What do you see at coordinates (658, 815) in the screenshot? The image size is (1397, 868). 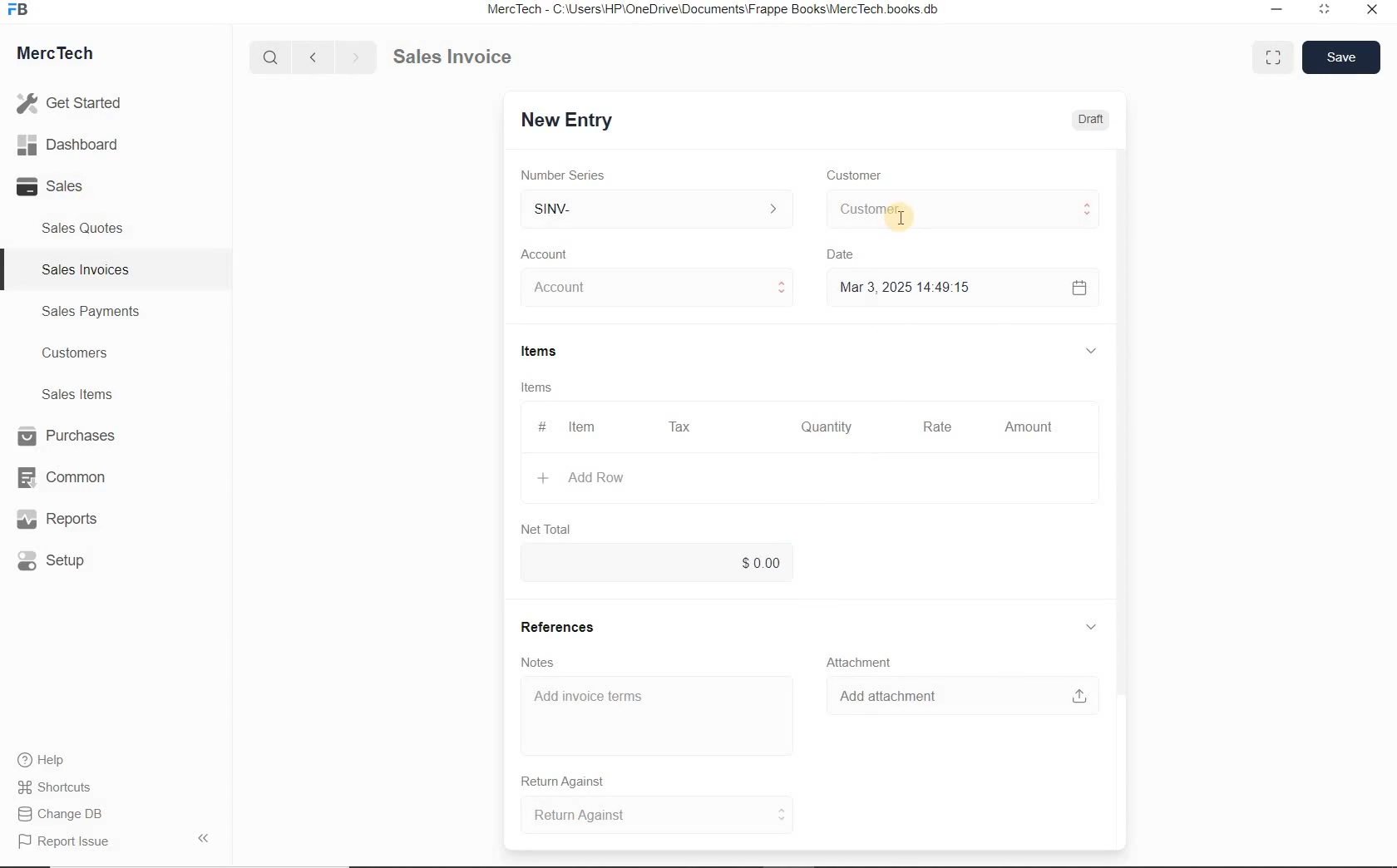 I see `Return Against` at bounding box center [658, 815].